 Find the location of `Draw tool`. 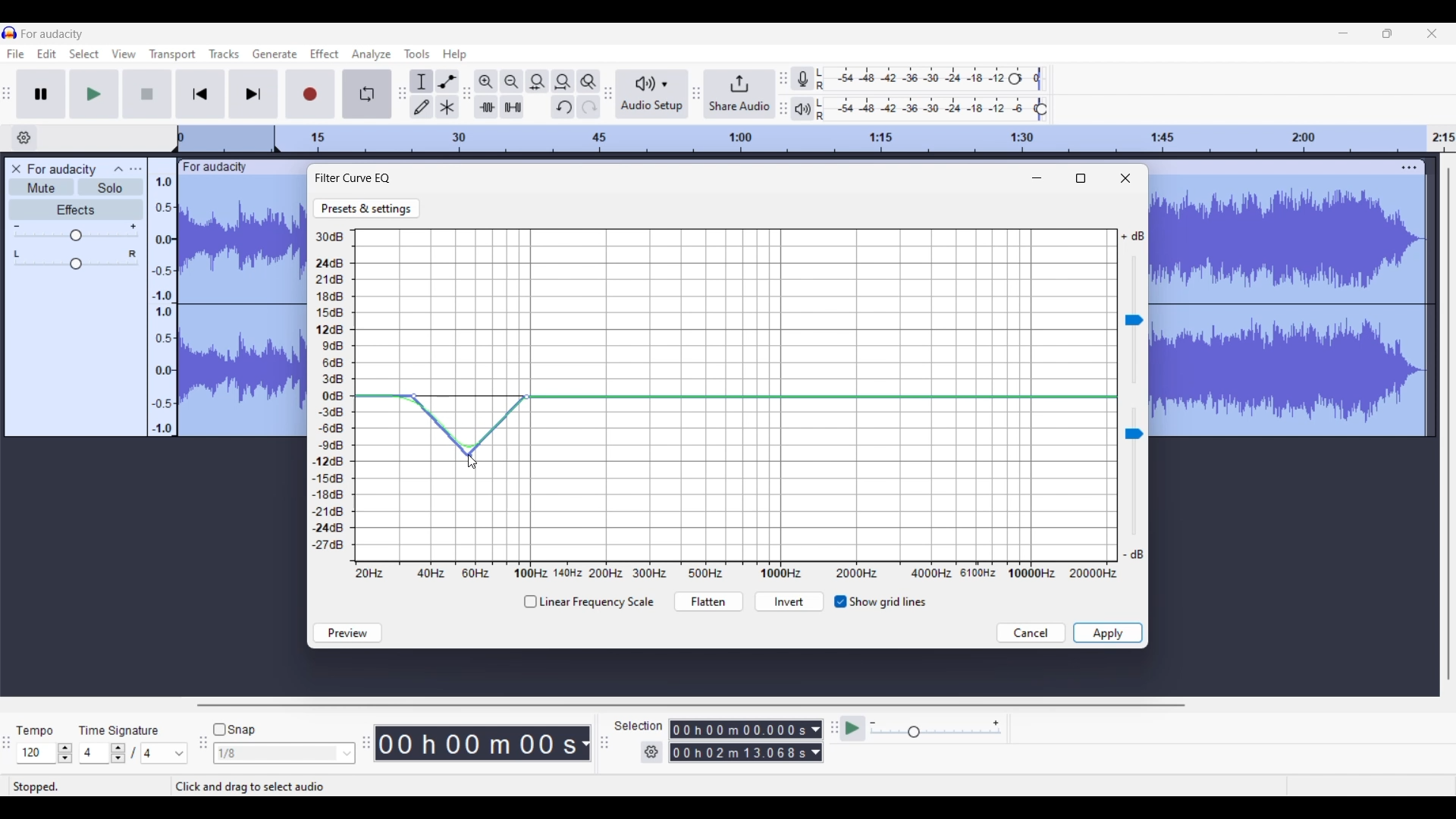

Draw tool is located at coordinates (422, 107).